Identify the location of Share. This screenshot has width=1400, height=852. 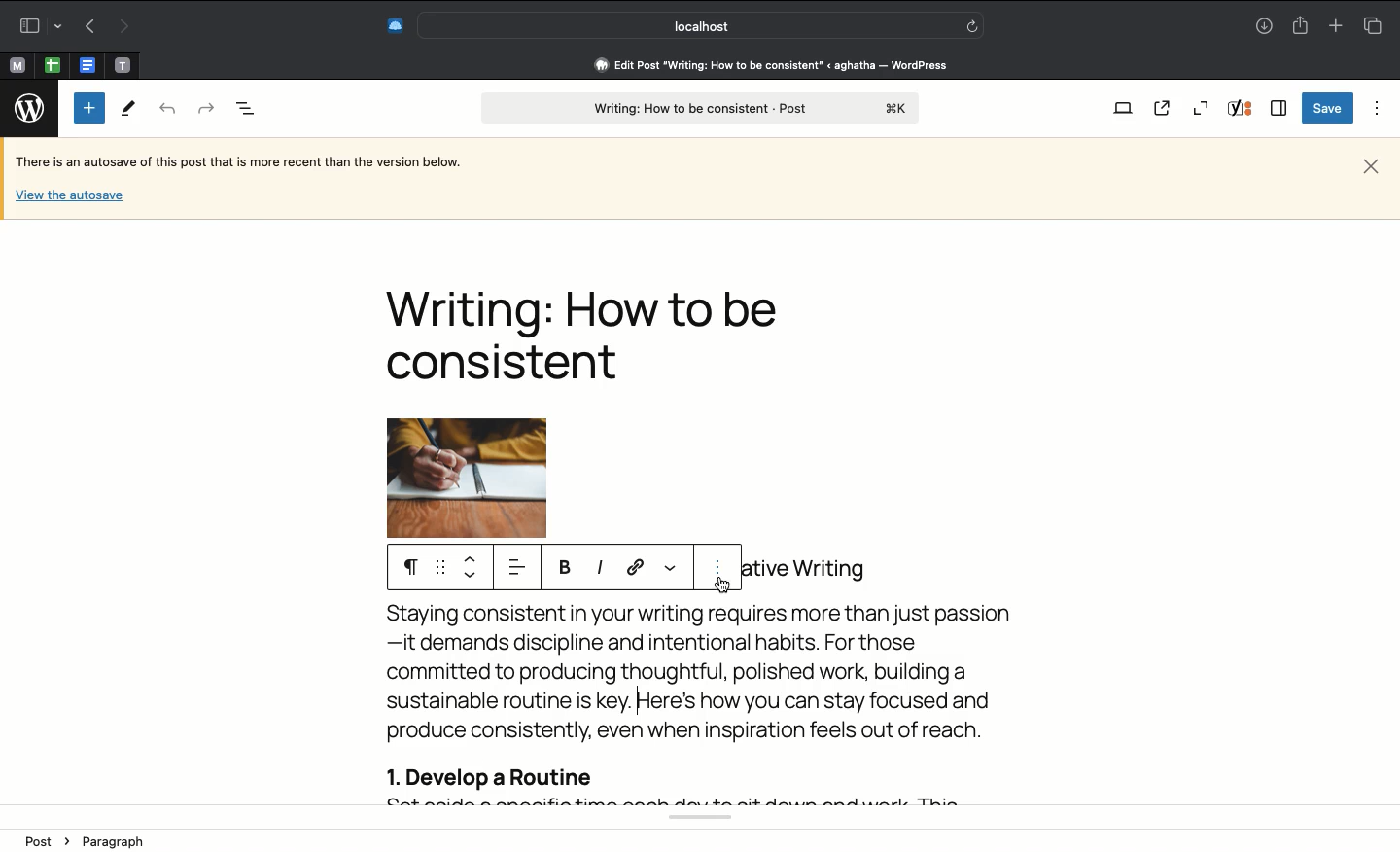
(1303, 26).